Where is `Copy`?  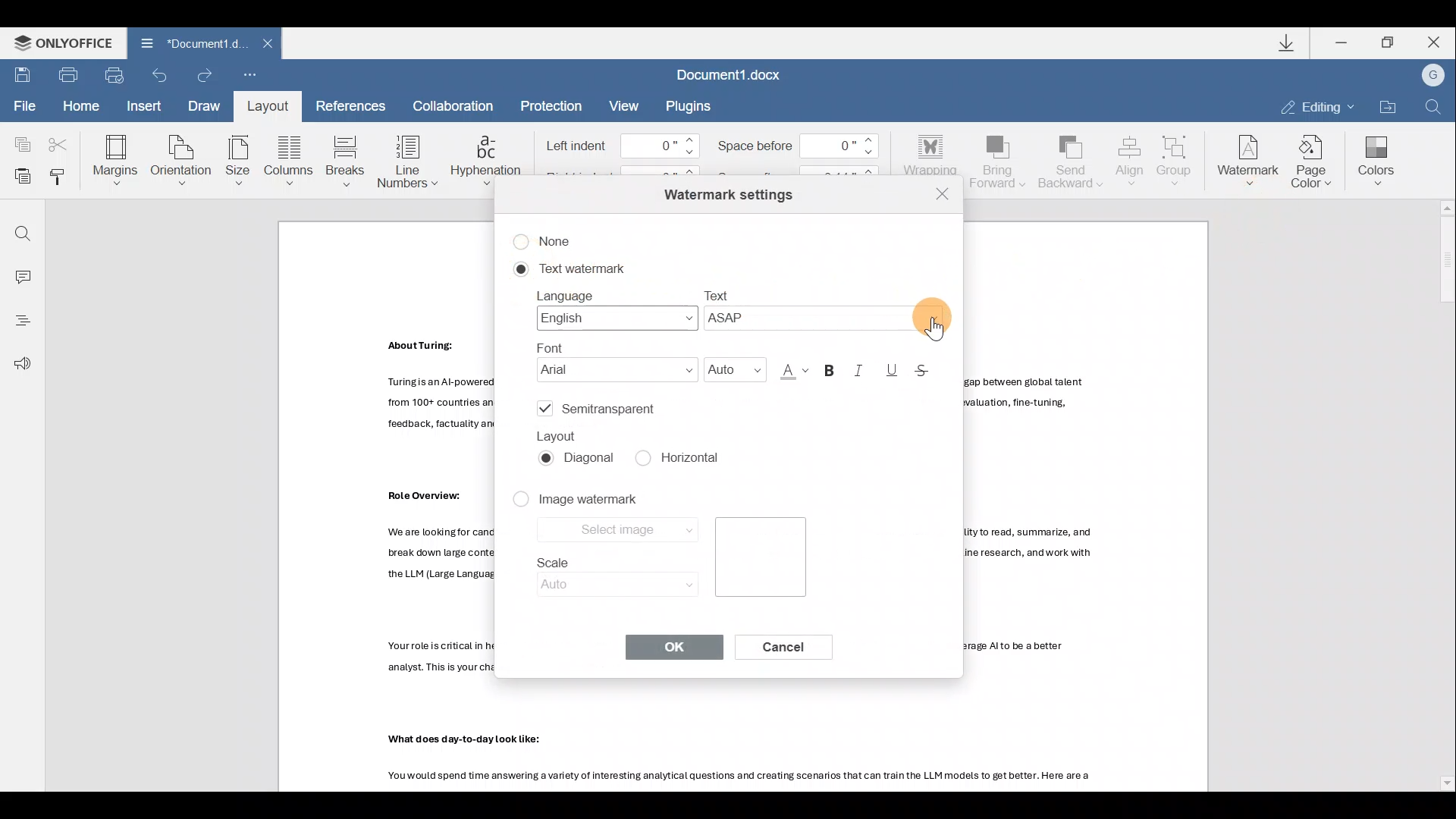 Copy is located at coordinates (19, 142).